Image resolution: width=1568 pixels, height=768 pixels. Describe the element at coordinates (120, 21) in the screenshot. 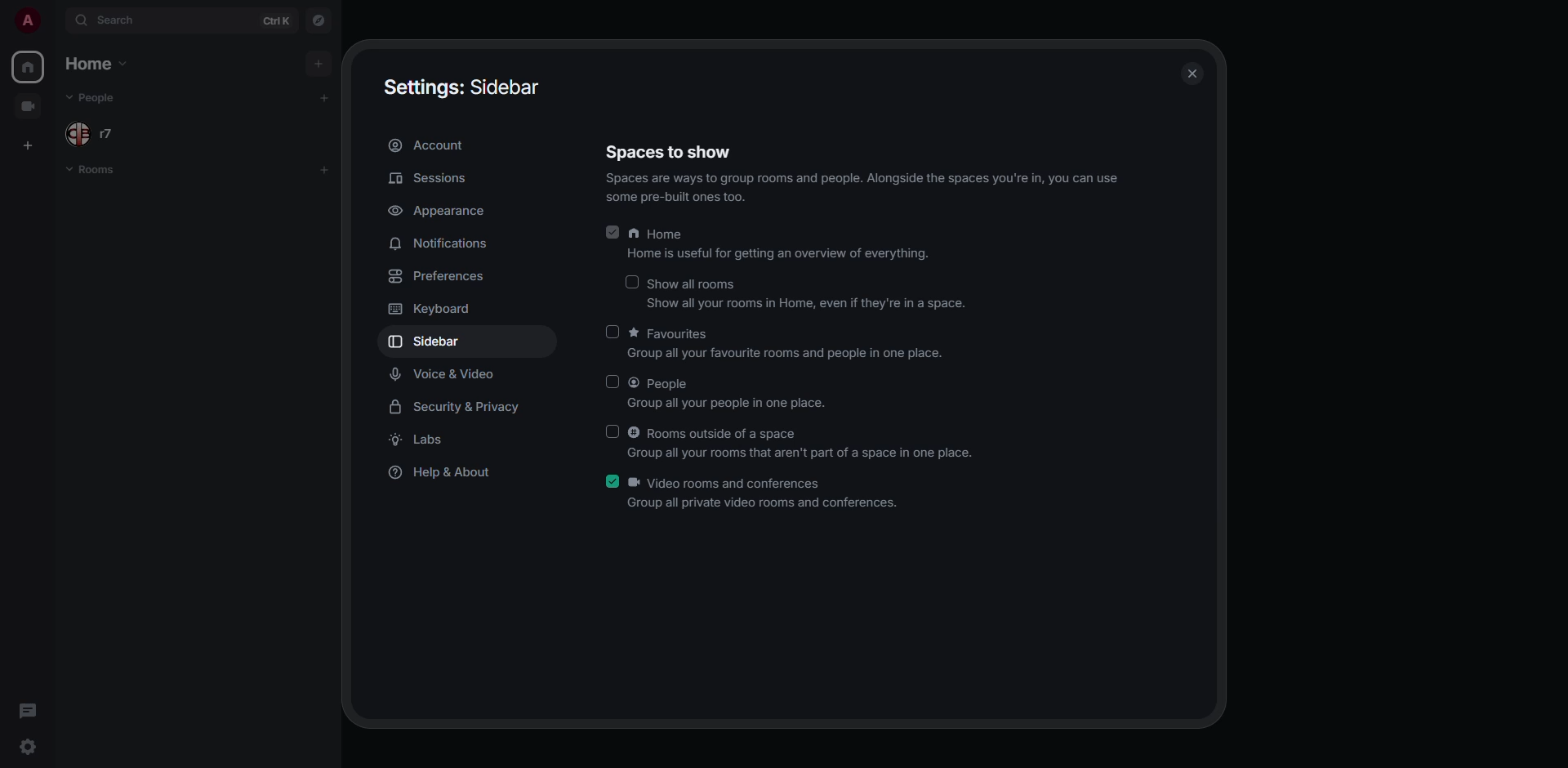

I see `search` at that location.